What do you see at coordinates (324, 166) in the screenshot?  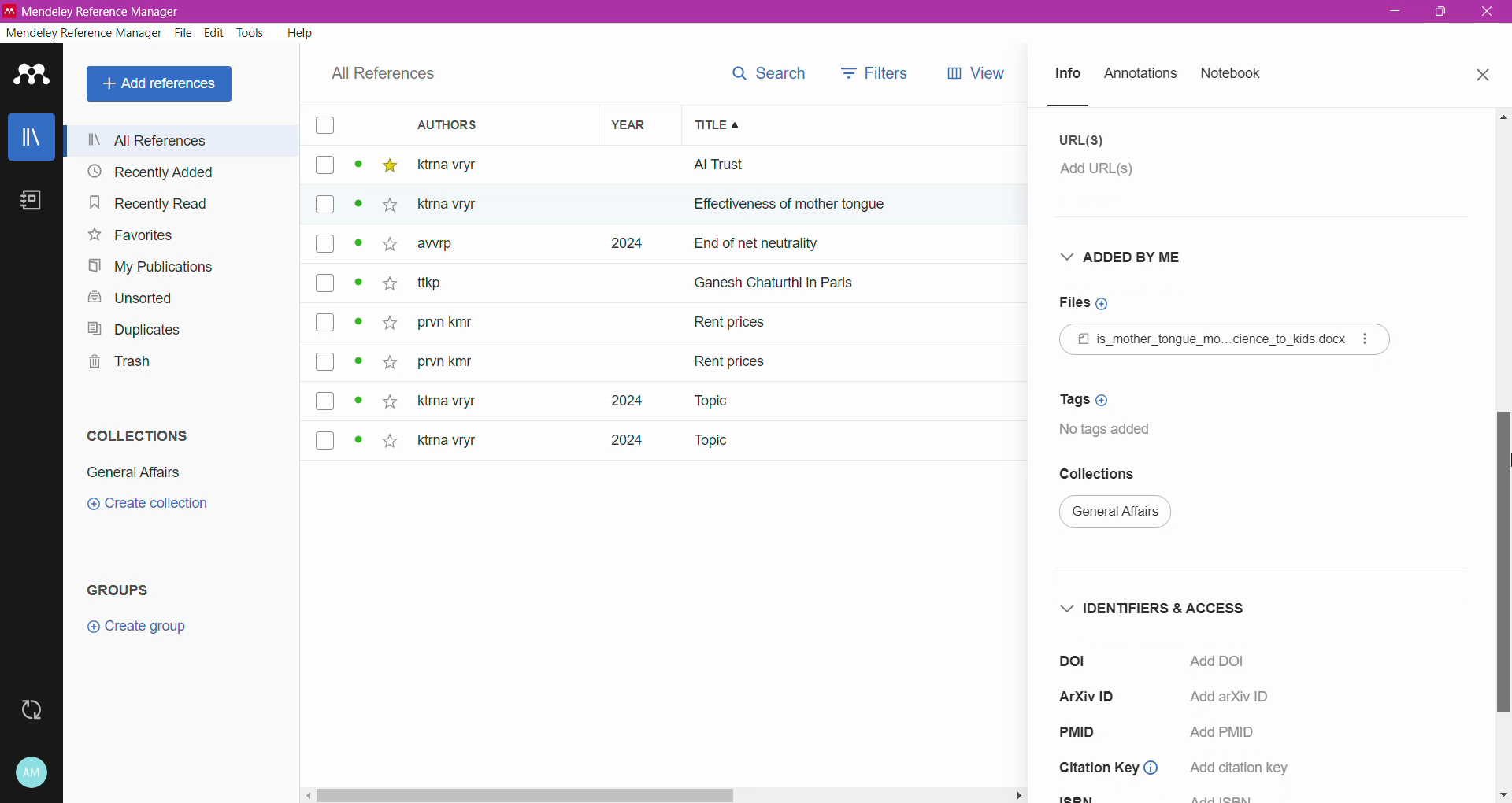 I see `box` at bounding box center [324, 166].